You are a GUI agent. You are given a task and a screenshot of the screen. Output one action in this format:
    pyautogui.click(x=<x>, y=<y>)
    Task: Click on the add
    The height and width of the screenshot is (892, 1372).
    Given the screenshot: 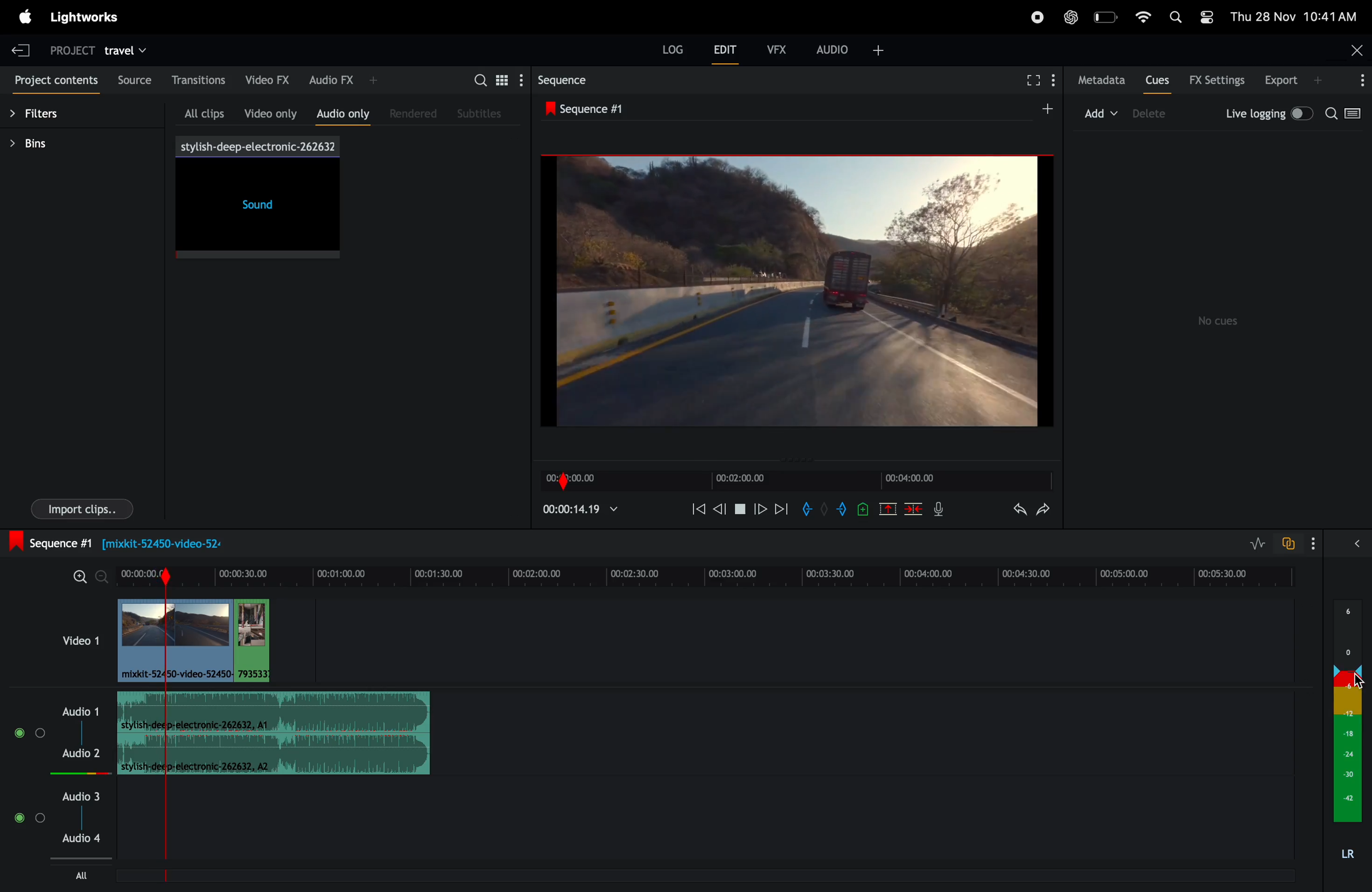 What is the action you would take?
    pyautogui.click(x=1102, y=114)
    